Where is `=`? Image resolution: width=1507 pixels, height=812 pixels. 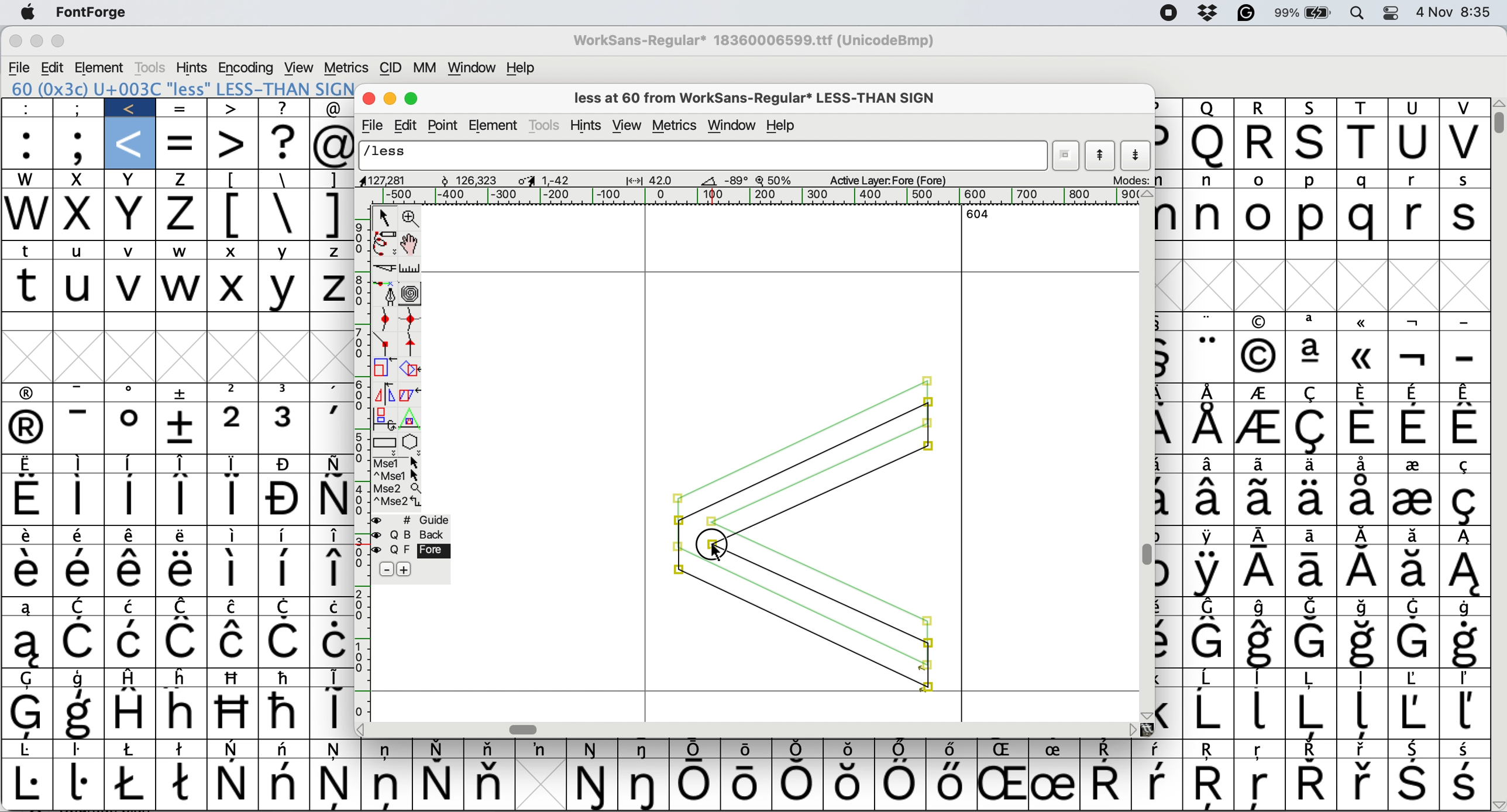 = is located at coordinates (183, 142).